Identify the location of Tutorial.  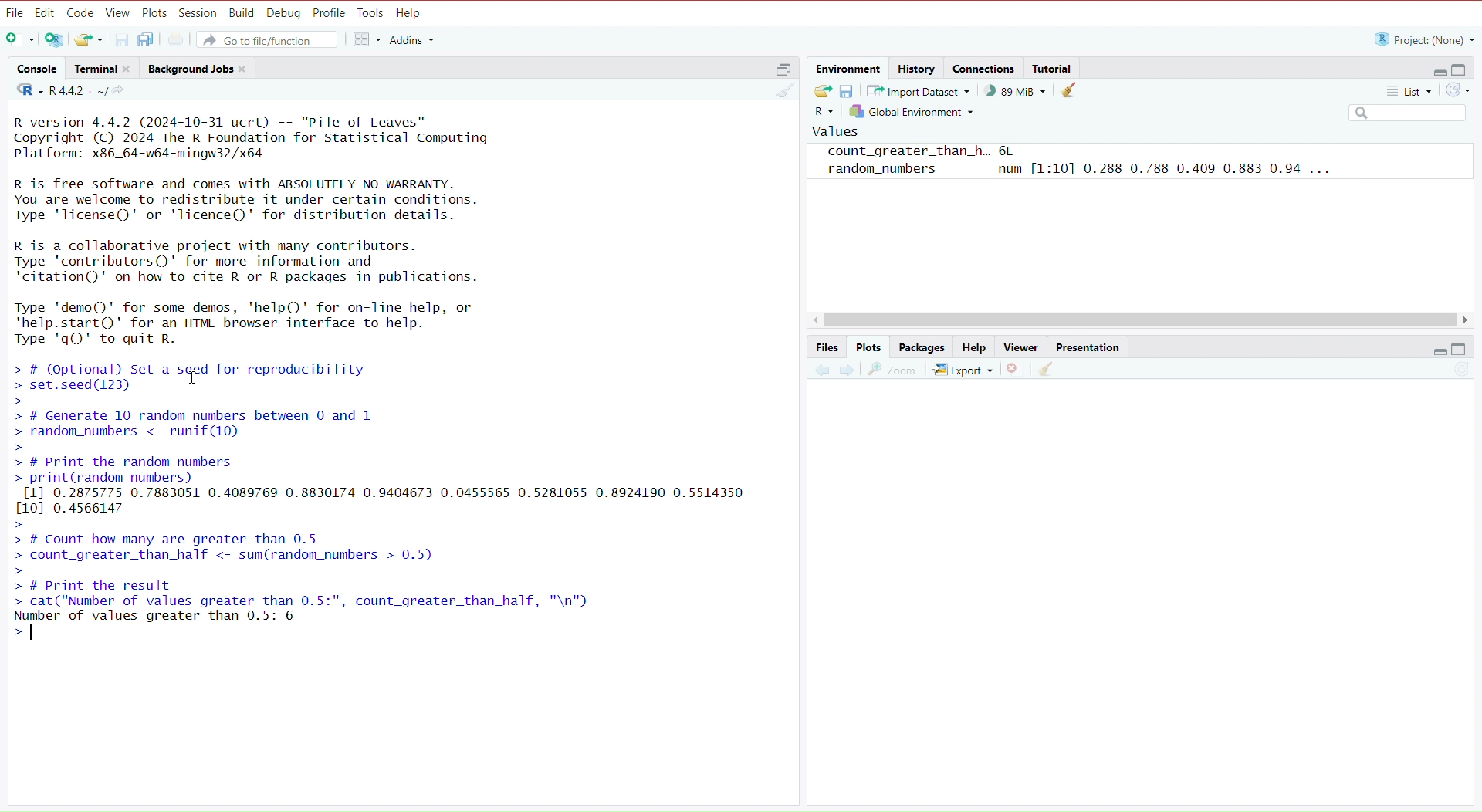
(1054, 67).